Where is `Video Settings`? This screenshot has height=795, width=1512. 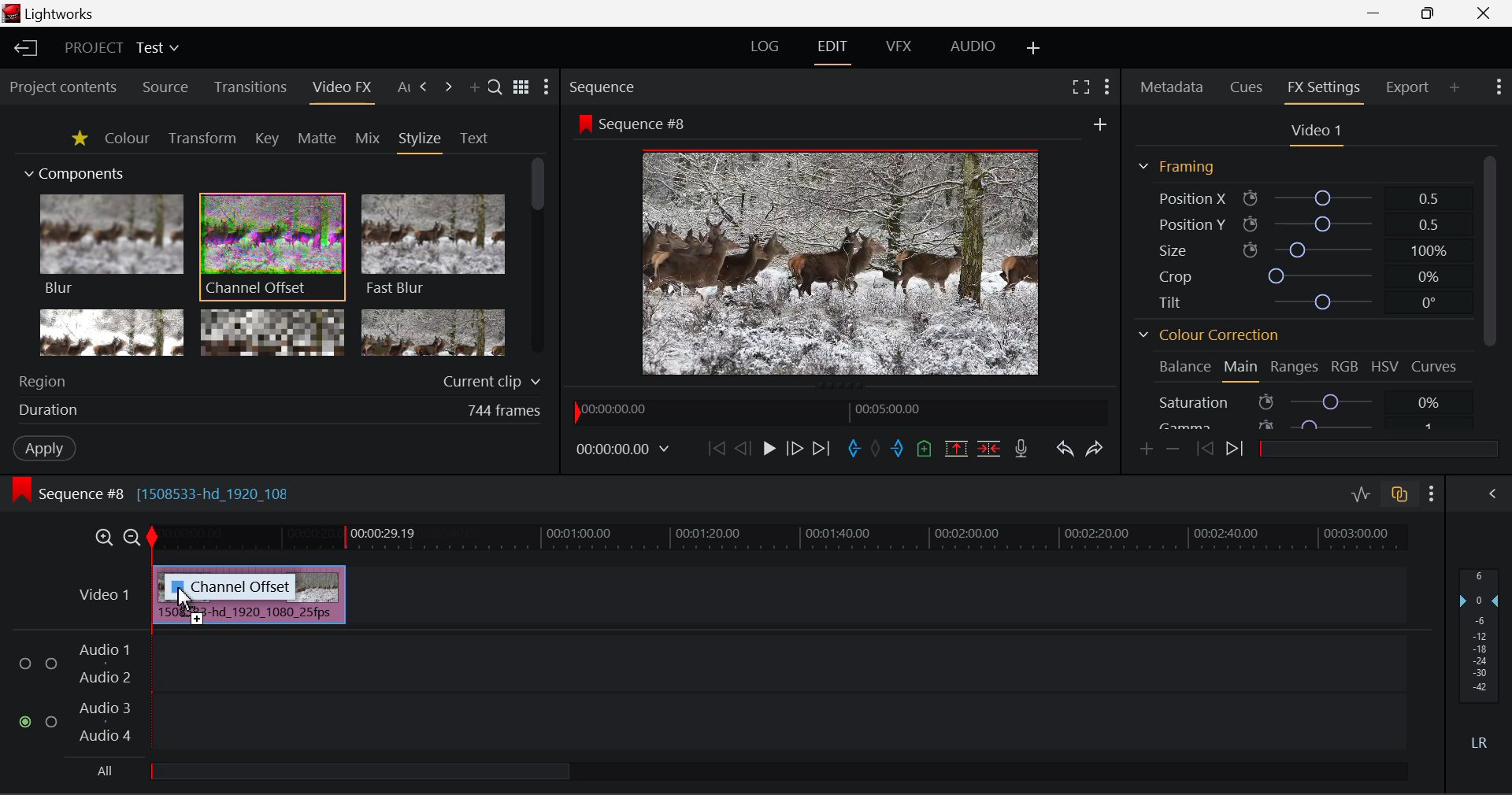 Video Settings is located at coordinates (1314, 134).